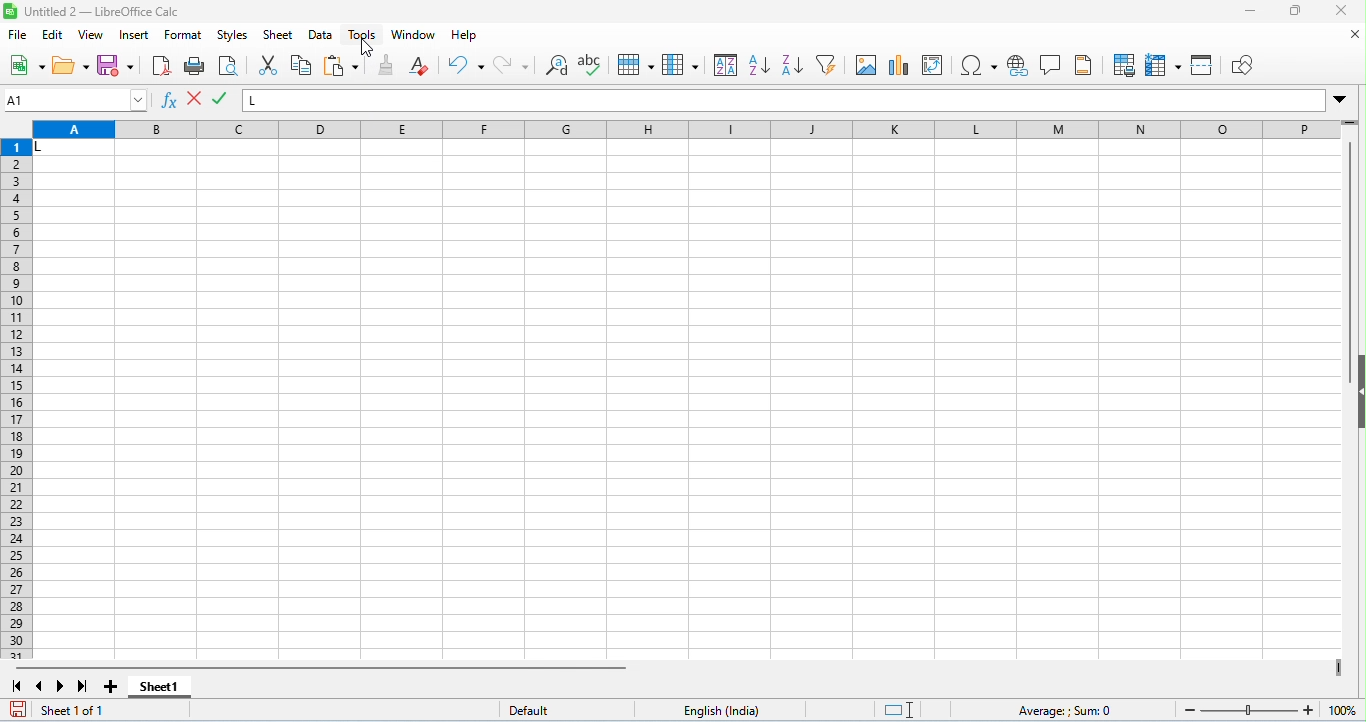  What do you see at coordinates (1357, 392) in the screenshot?
I see `hide` at bounding box center [1357, 392].